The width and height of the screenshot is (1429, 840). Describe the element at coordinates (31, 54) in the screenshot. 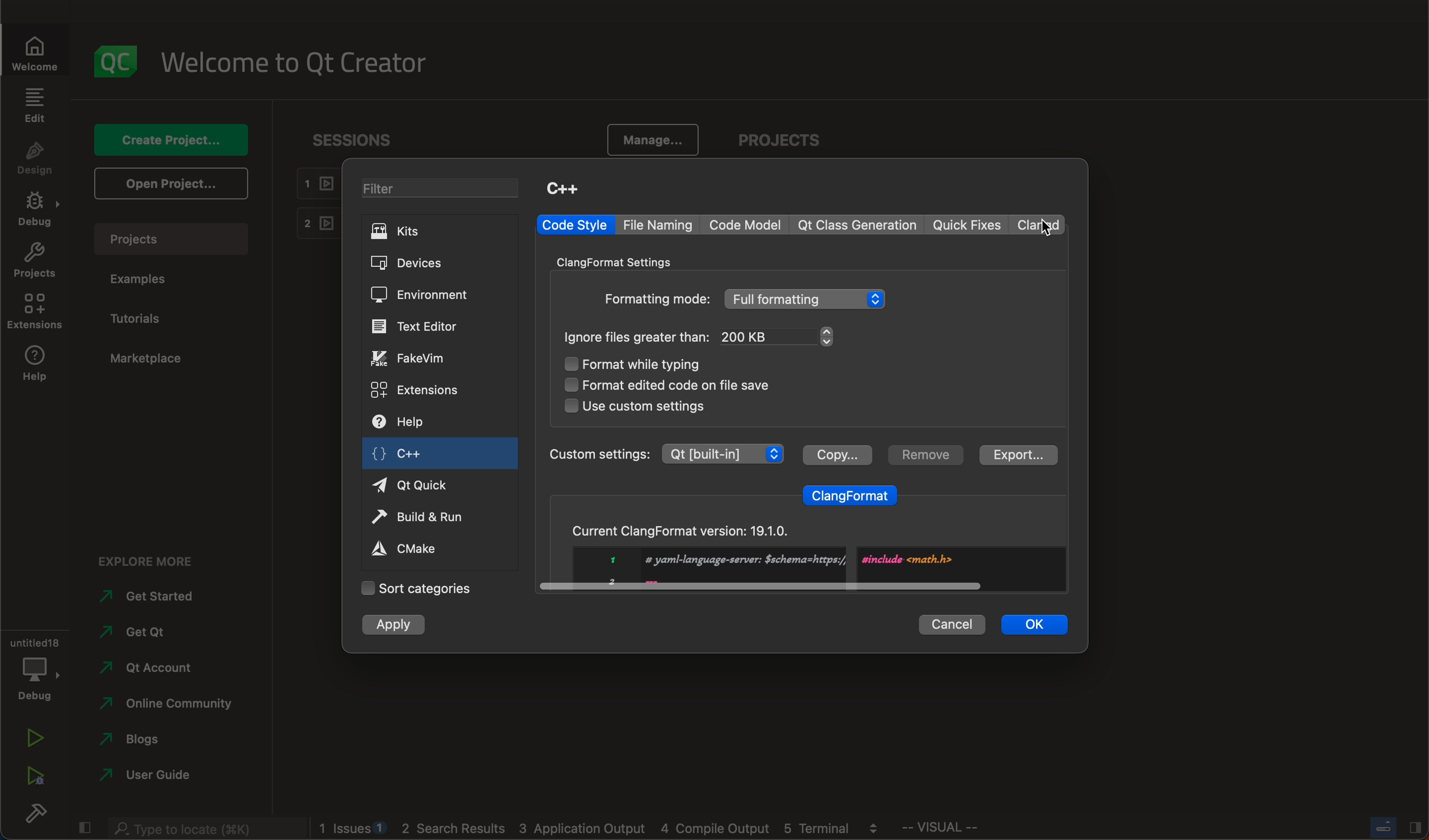

I see `welcome` at that location.